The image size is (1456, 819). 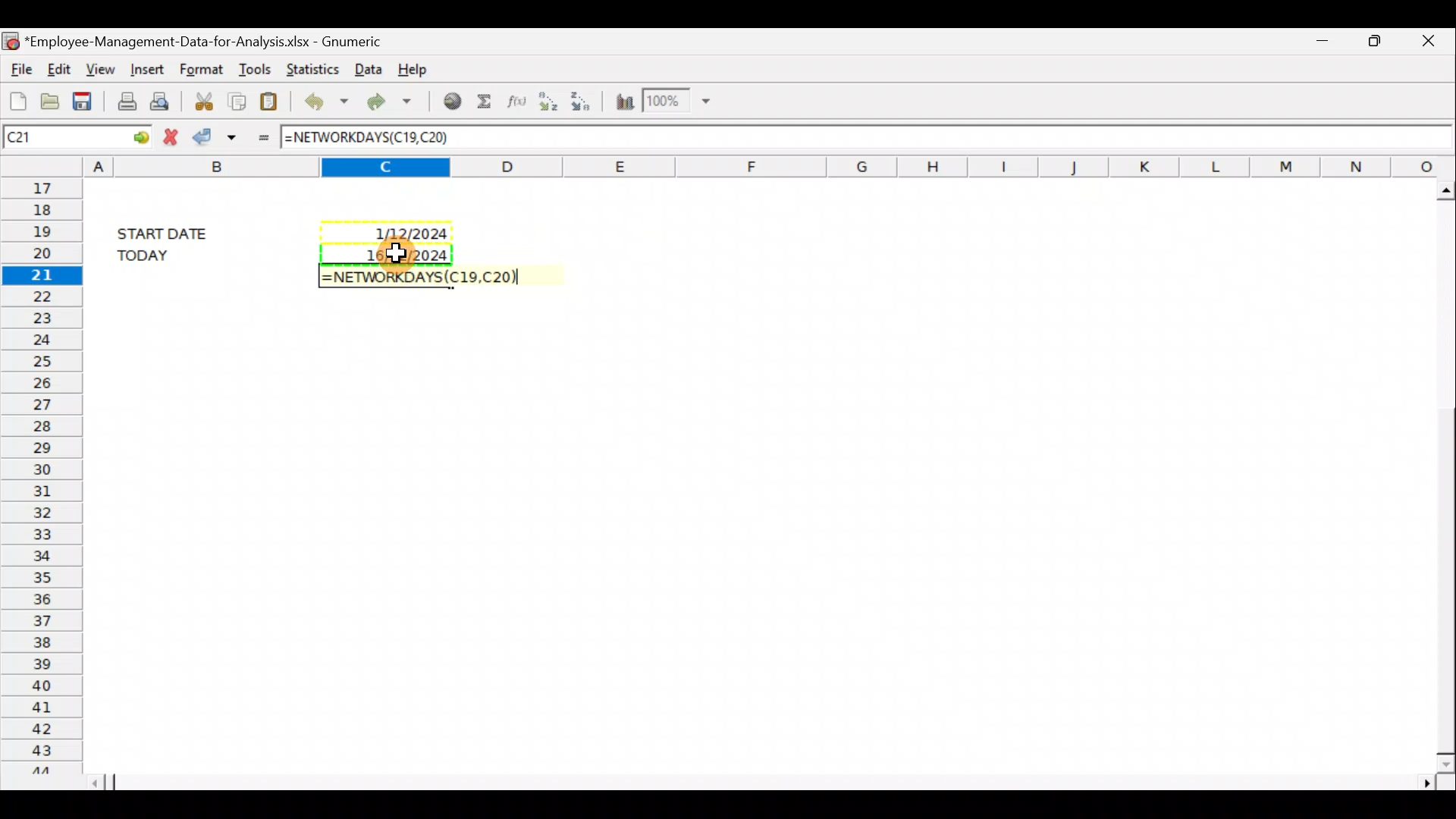 I want to click on Sort in descending order, so click(x=584, y=101).